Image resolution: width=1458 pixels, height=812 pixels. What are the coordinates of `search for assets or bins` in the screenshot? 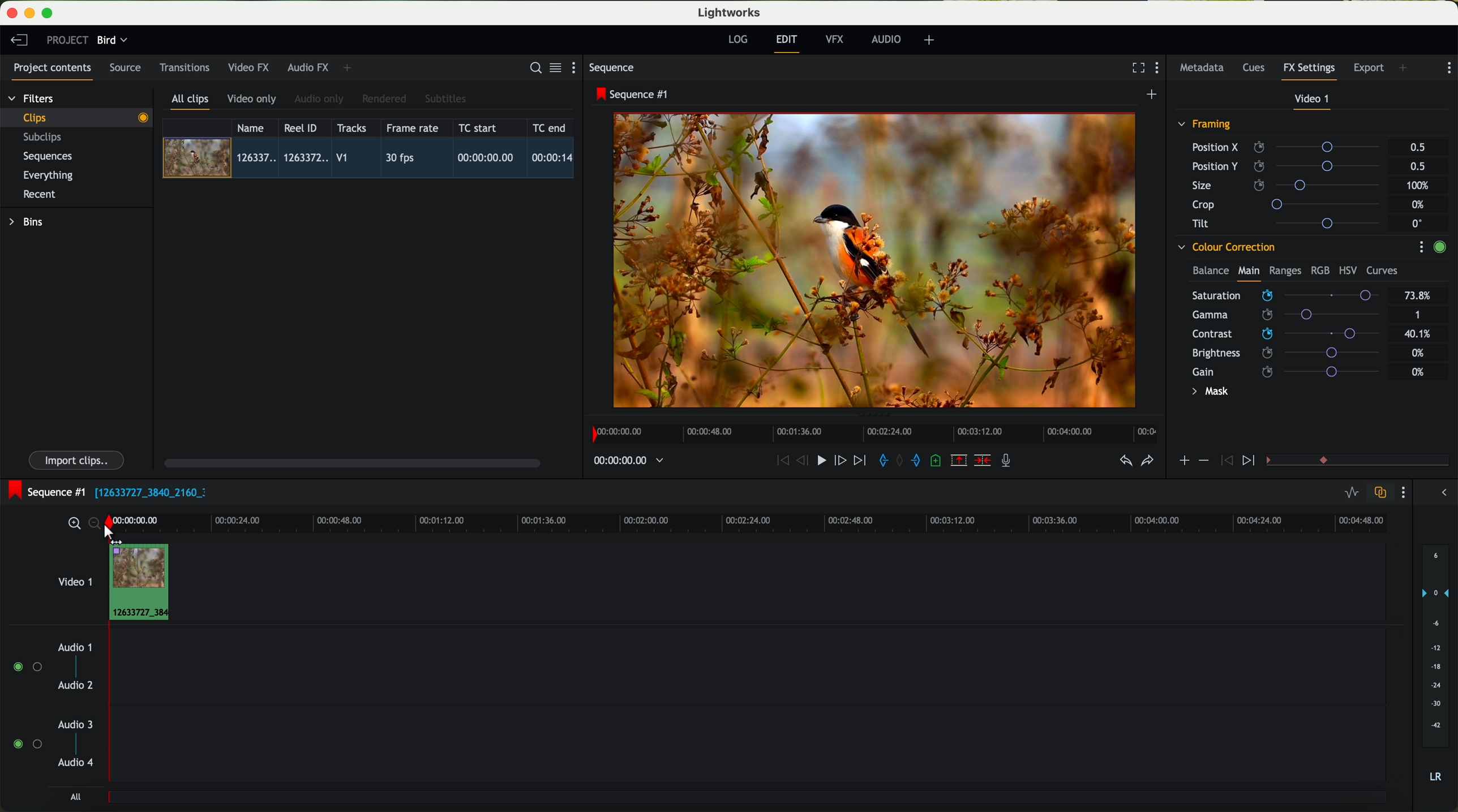 It's located at (532, 68).